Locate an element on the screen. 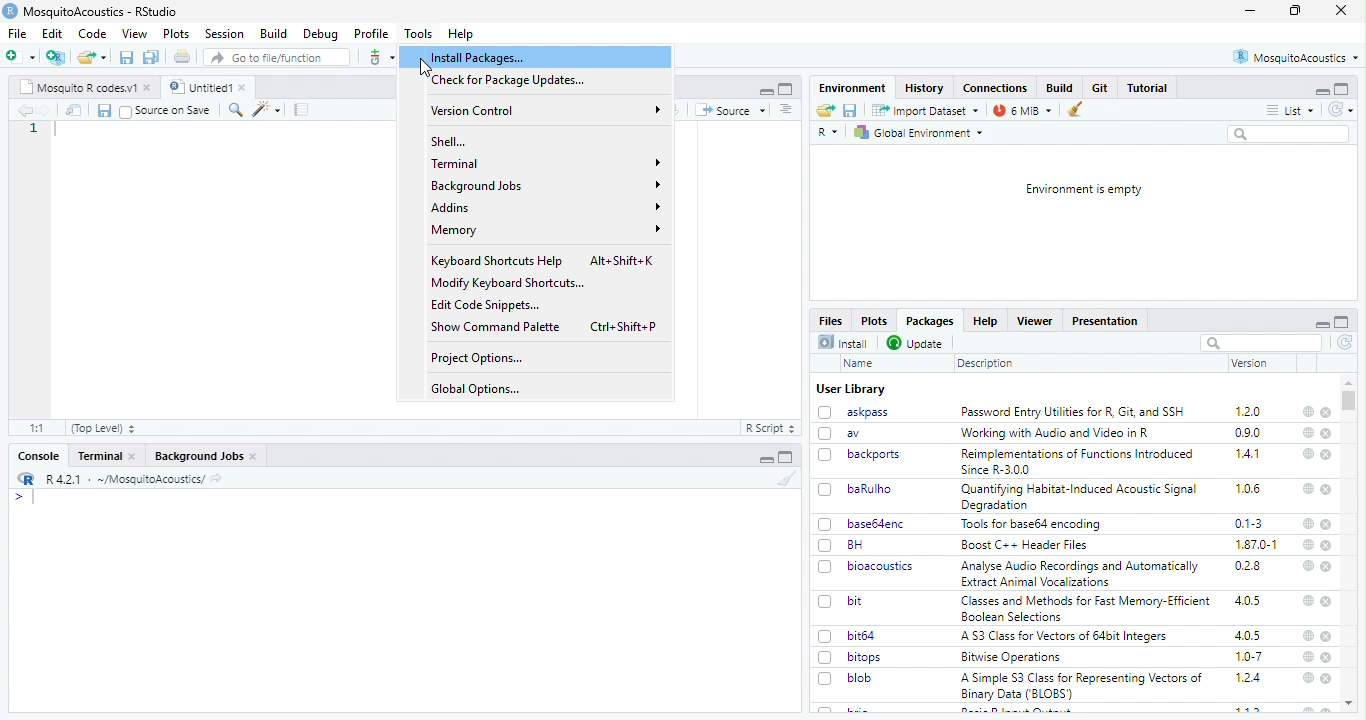 The image size is (1366, 720). Dataset’s  is located at coordinates (303, 110).